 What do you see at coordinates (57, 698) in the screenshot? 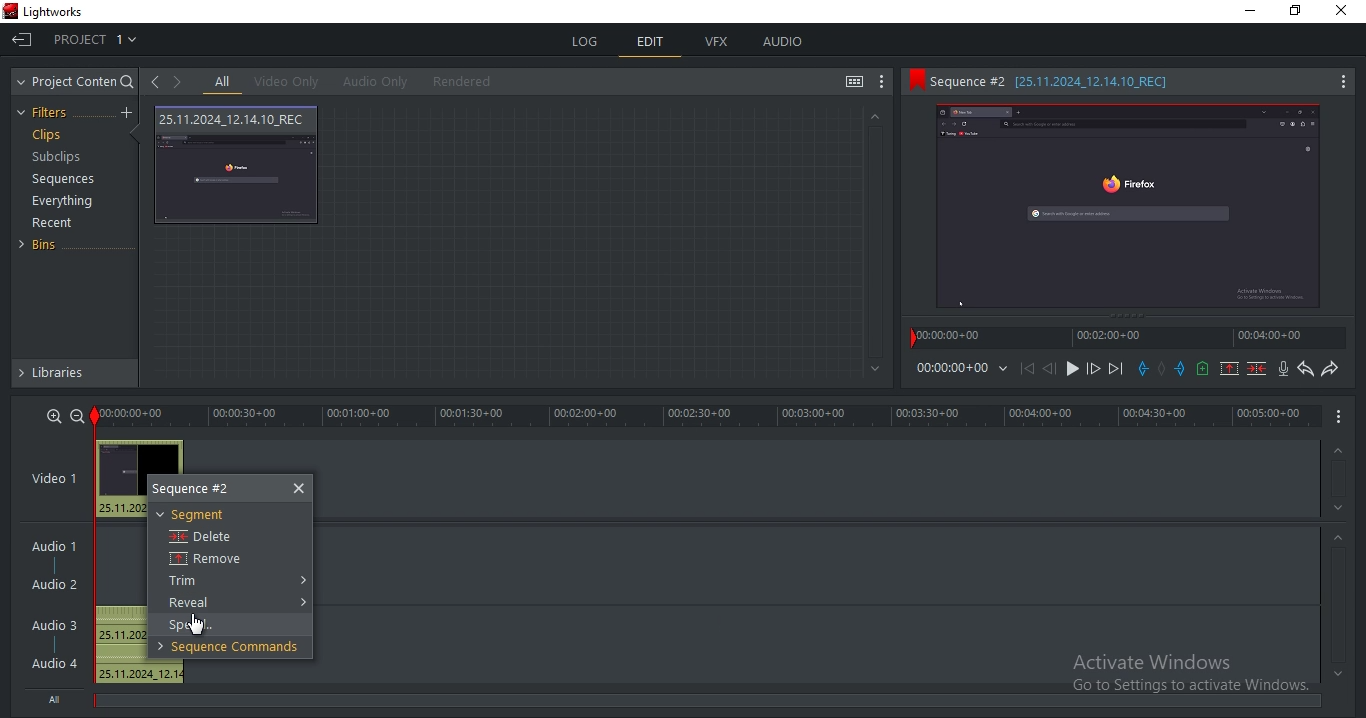
I see `all` at bounding box center [57, 698].